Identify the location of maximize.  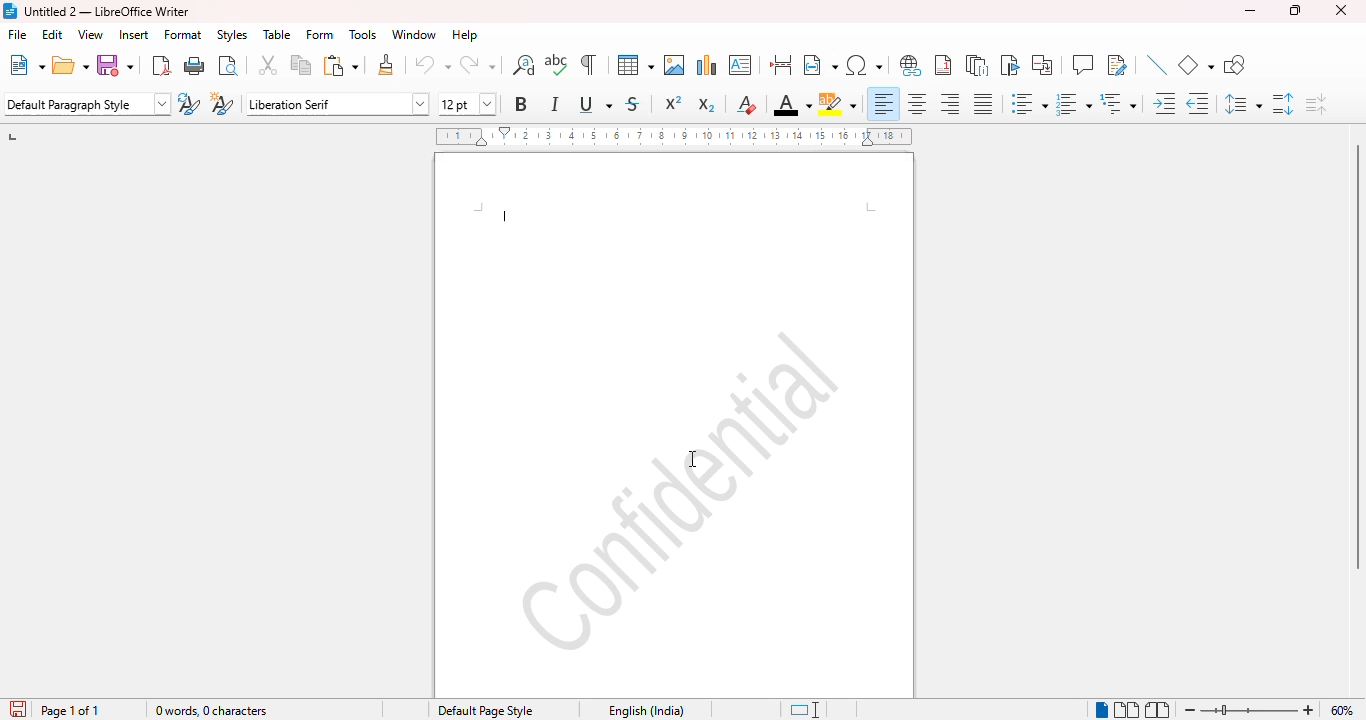
(1296, 10).